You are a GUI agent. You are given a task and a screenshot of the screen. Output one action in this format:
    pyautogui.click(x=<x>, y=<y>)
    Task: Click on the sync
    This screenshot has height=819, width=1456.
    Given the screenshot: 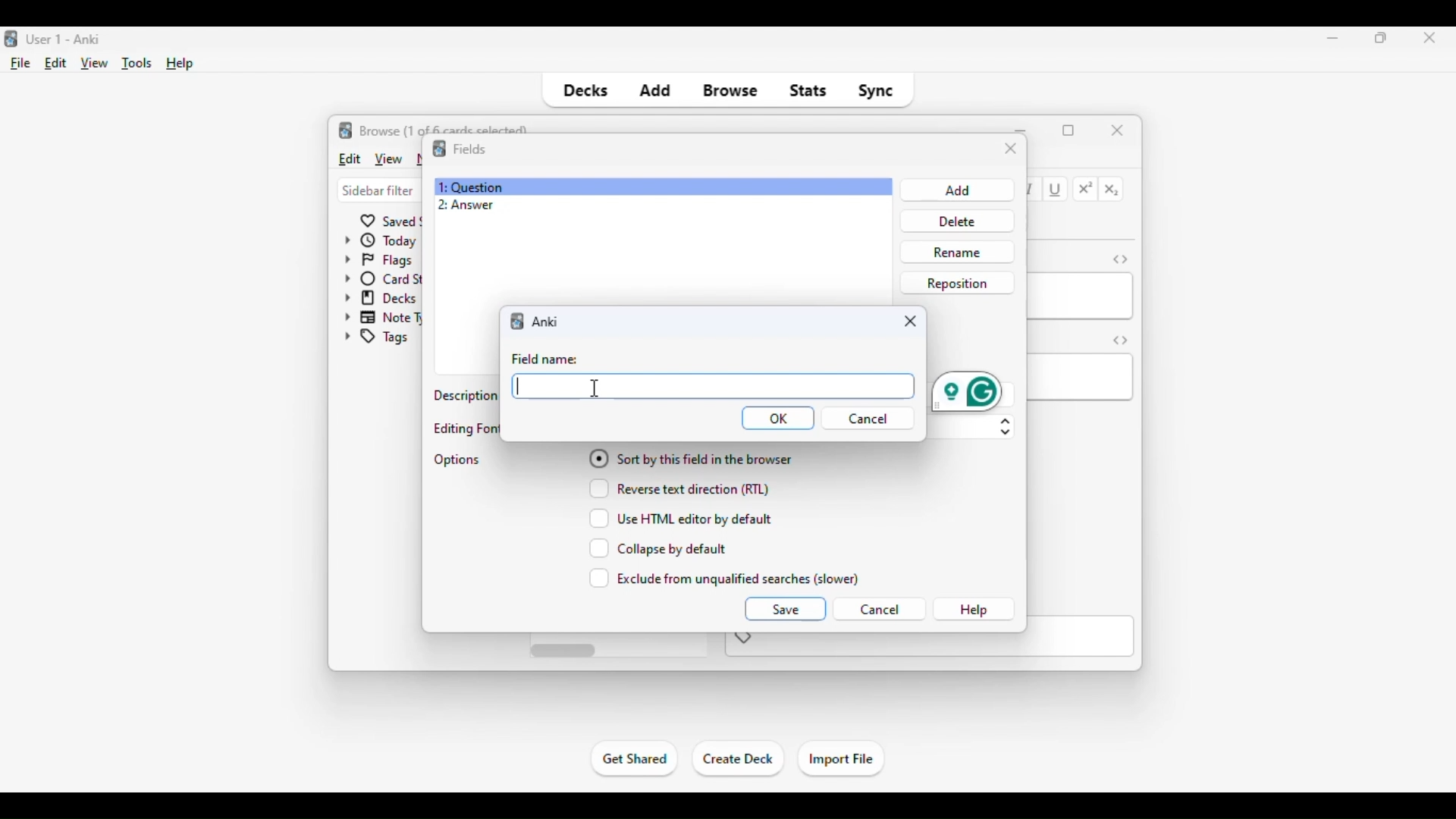 What is the action you would take?
    pyautogui.click(x=875, y=91)
    